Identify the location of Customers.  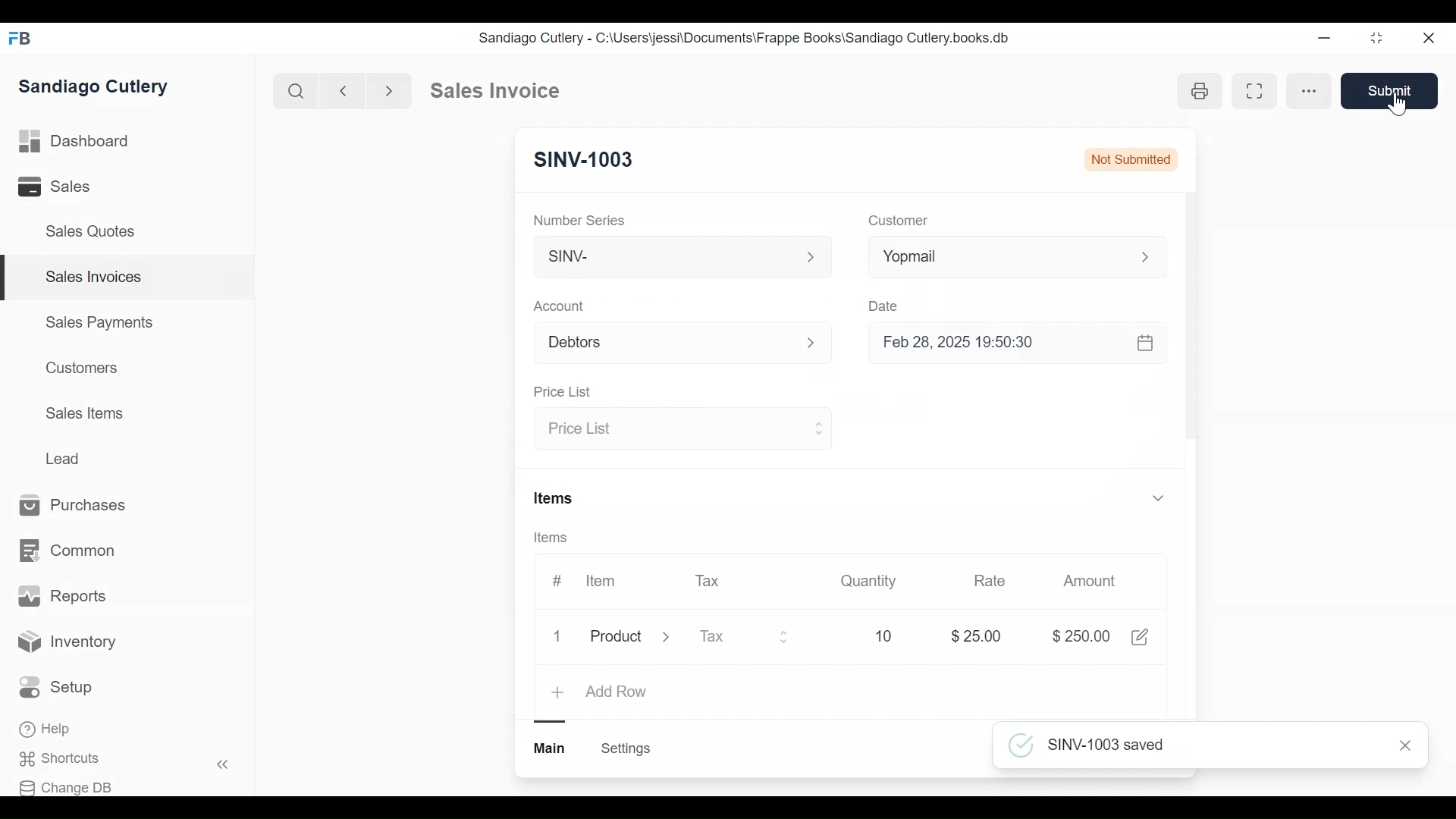
(78, 368).